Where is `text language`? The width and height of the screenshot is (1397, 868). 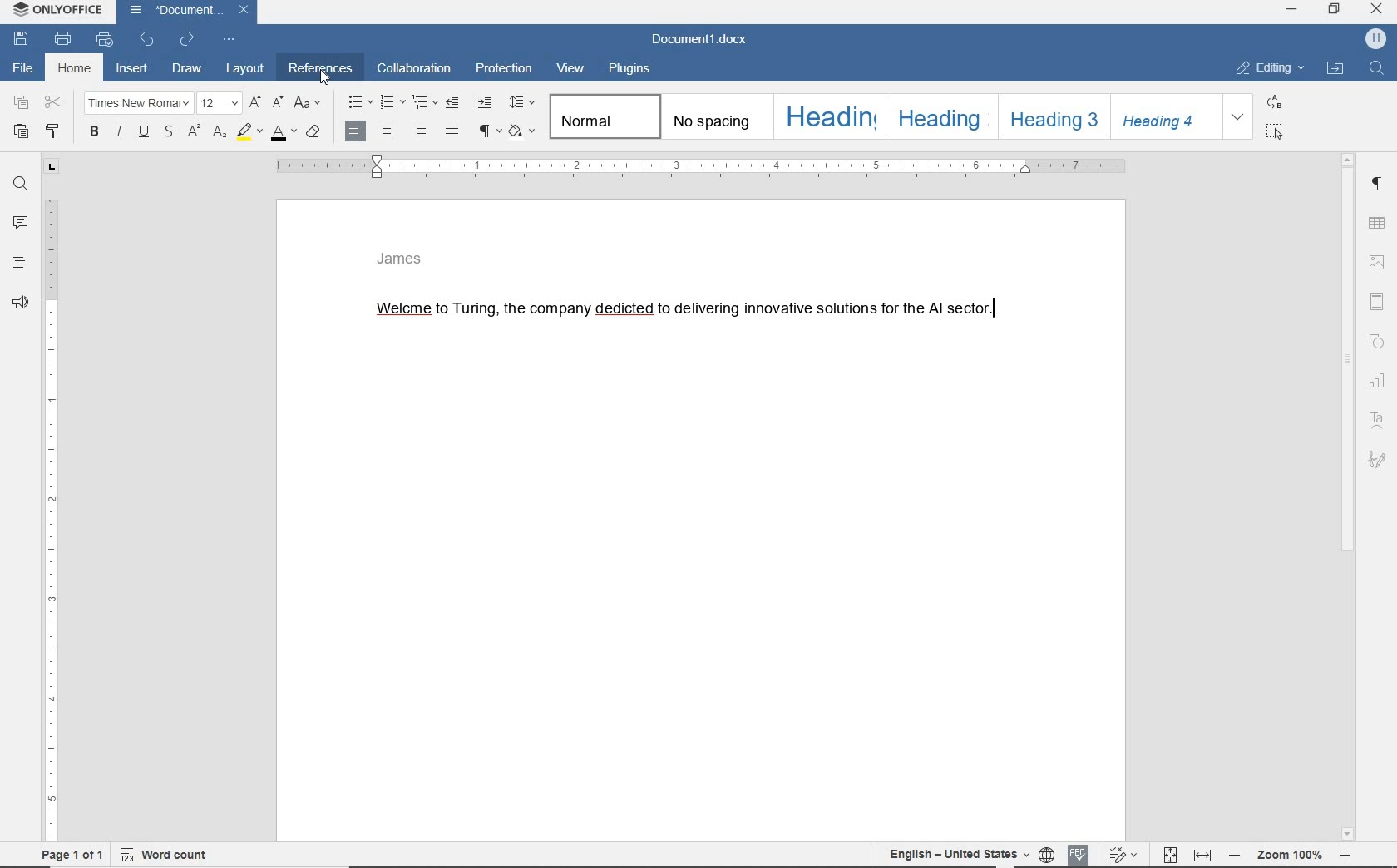 text language is located at coordinates (956, 855).